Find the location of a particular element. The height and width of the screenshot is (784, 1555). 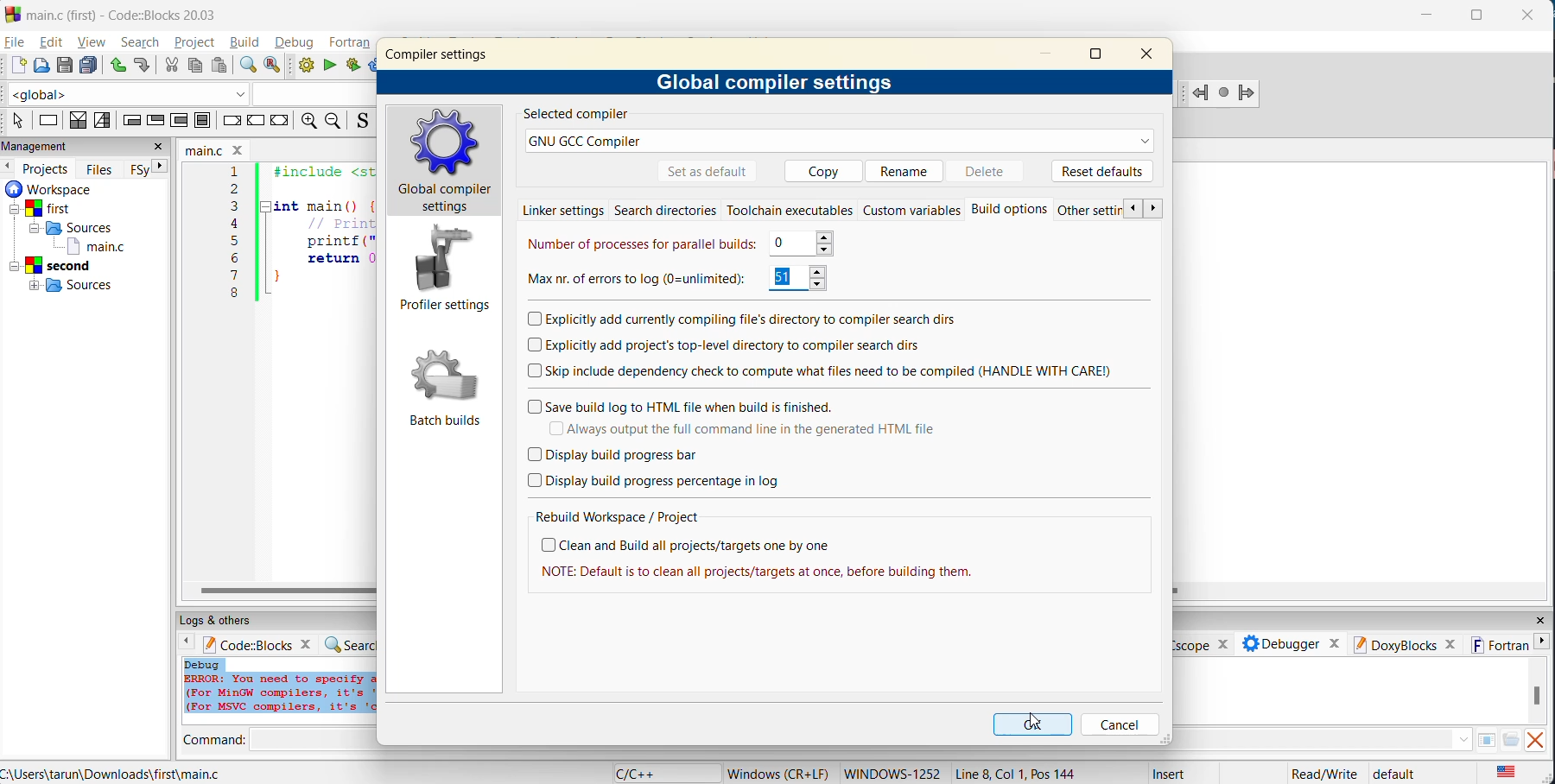

toolchain executables is located at coordinates (789, 209).